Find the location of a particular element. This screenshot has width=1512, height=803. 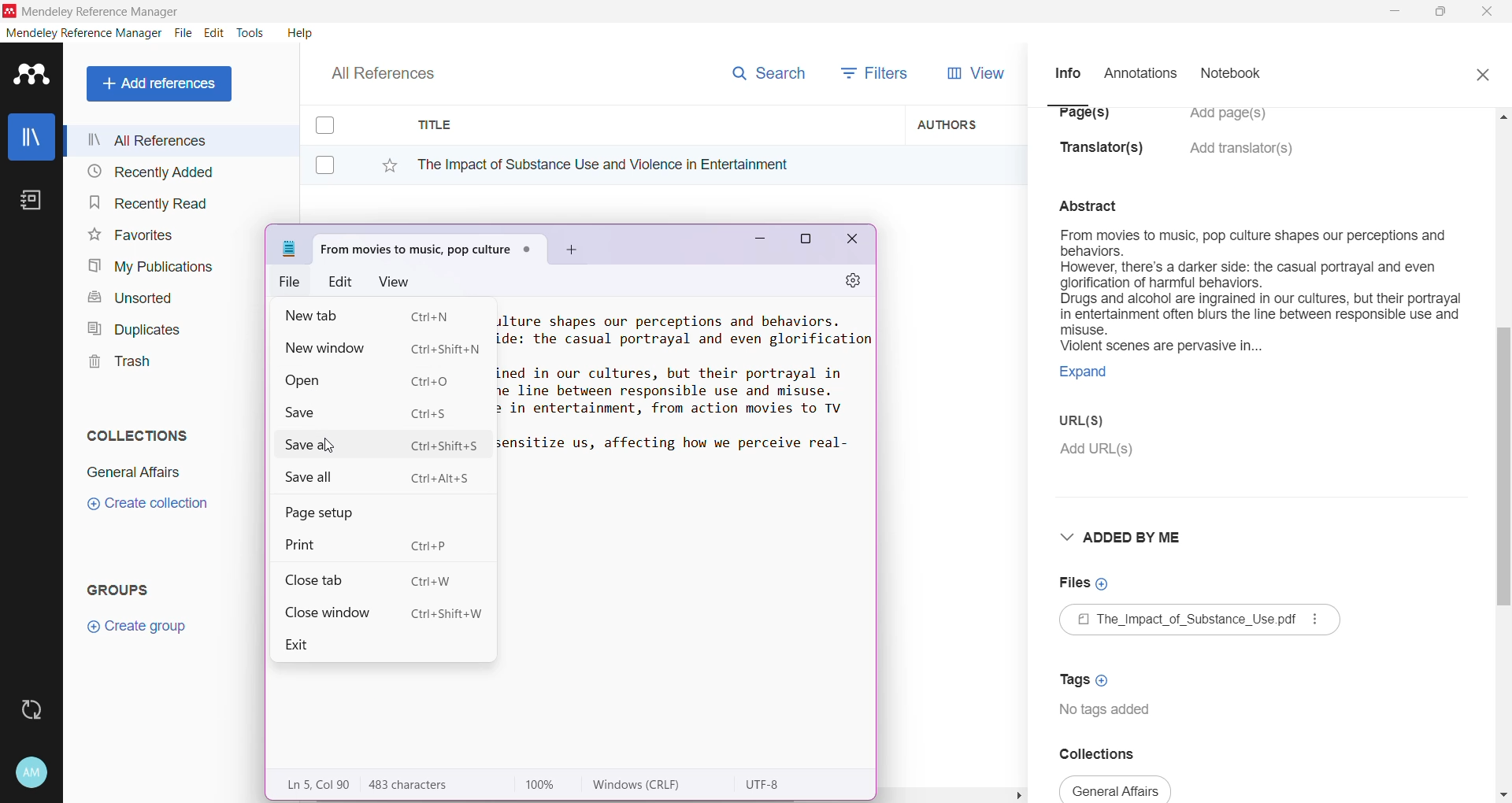

Filters is located at coordinates (879, 72).